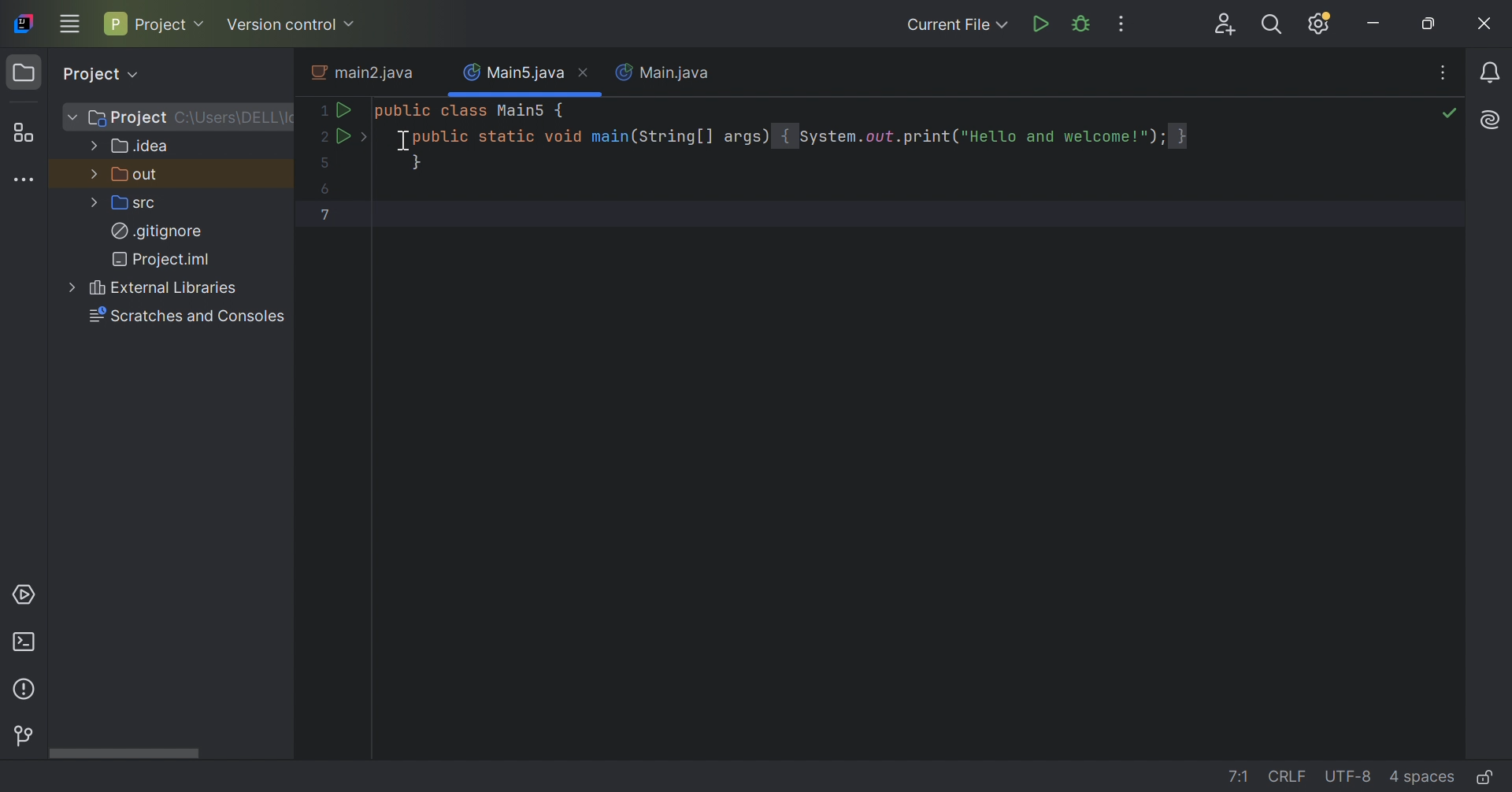 The height and width of the screenshot is (792, 1512). I want to click on }, so click(419, 162).